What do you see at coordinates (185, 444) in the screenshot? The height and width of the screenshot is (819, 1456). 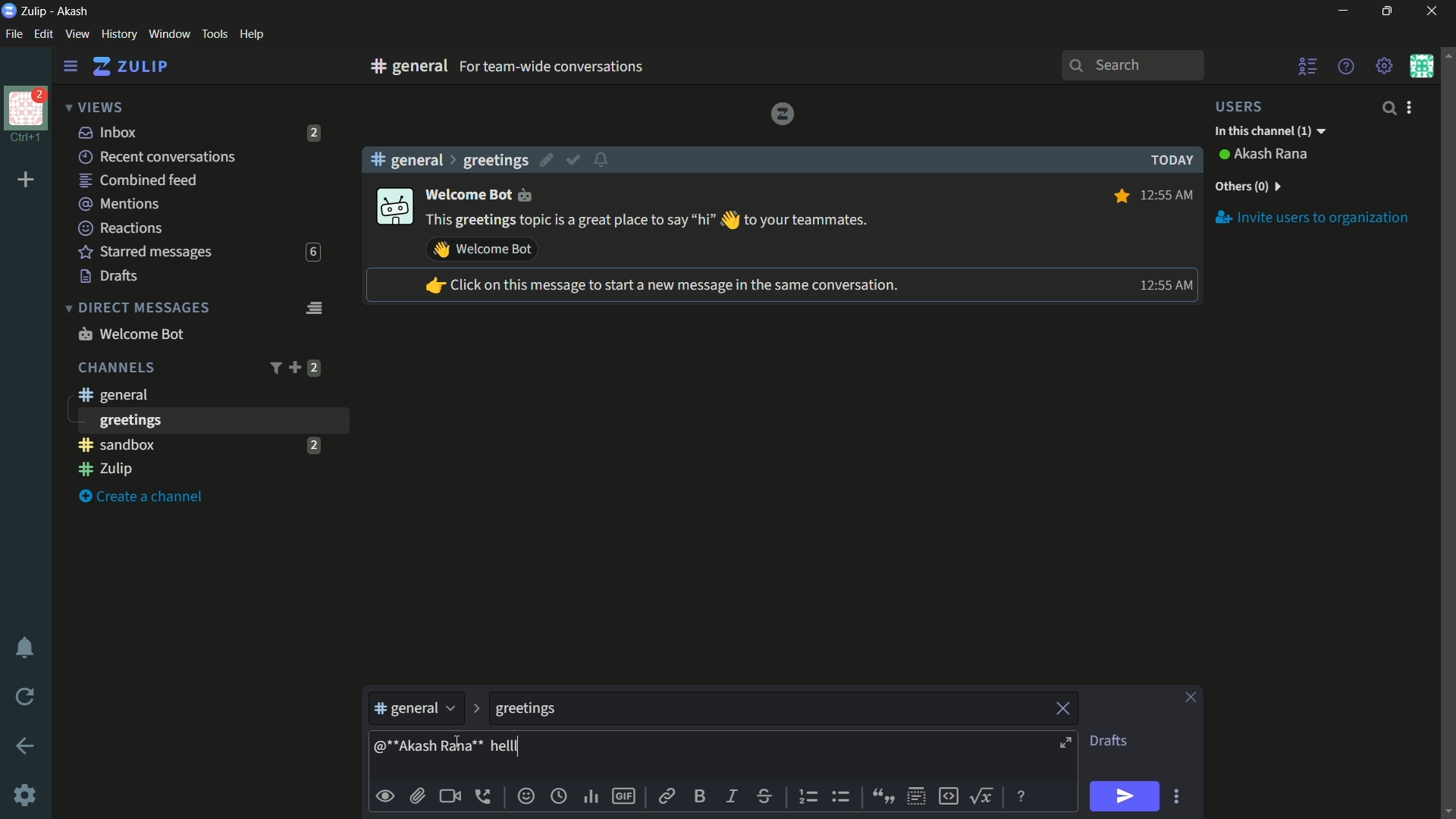 I see `sandbox` at bounding box center [185, 444].